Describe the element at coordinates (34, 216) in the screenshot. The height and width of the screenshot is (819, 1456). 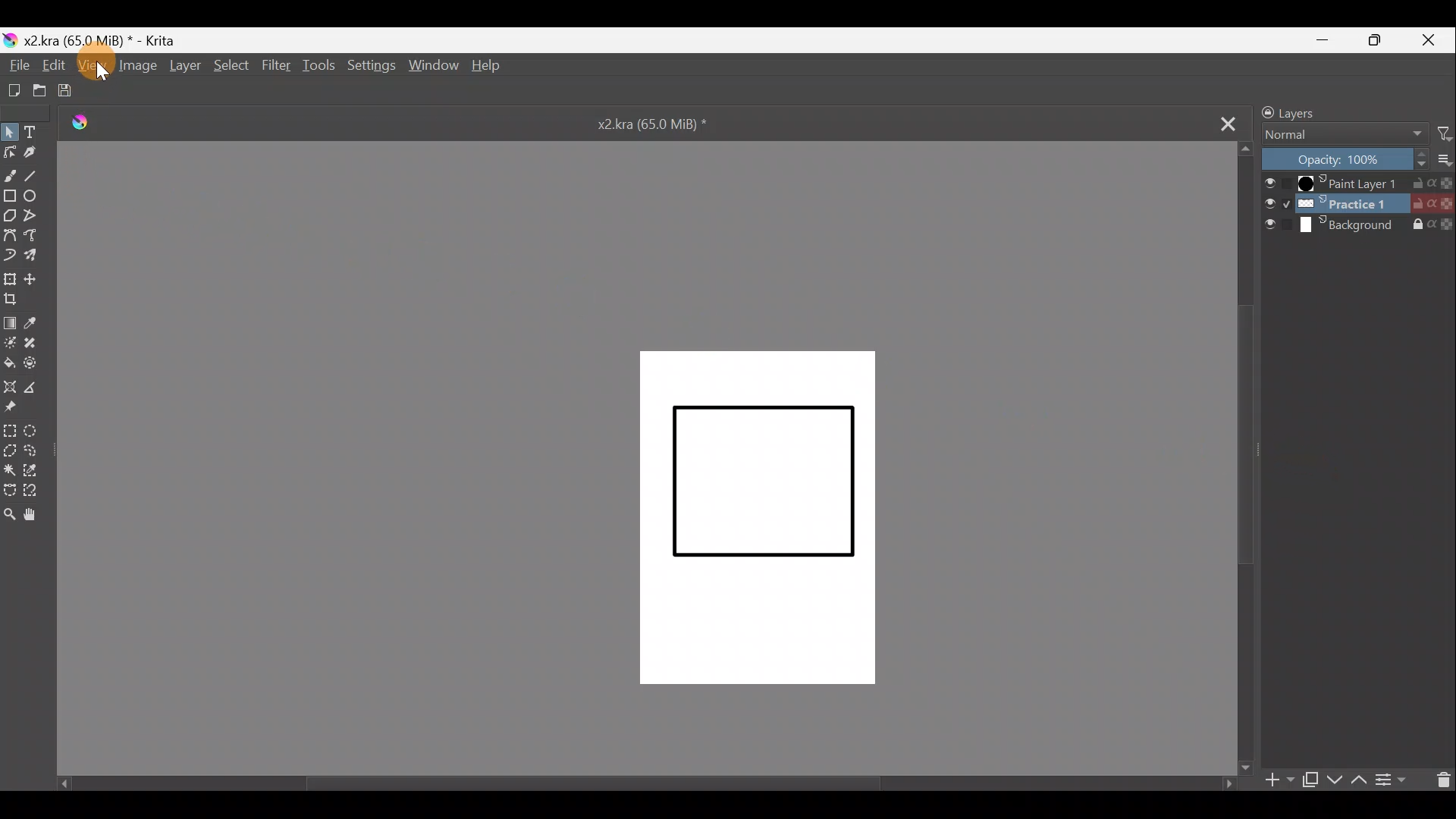
I see `Polyline tool` at that location.